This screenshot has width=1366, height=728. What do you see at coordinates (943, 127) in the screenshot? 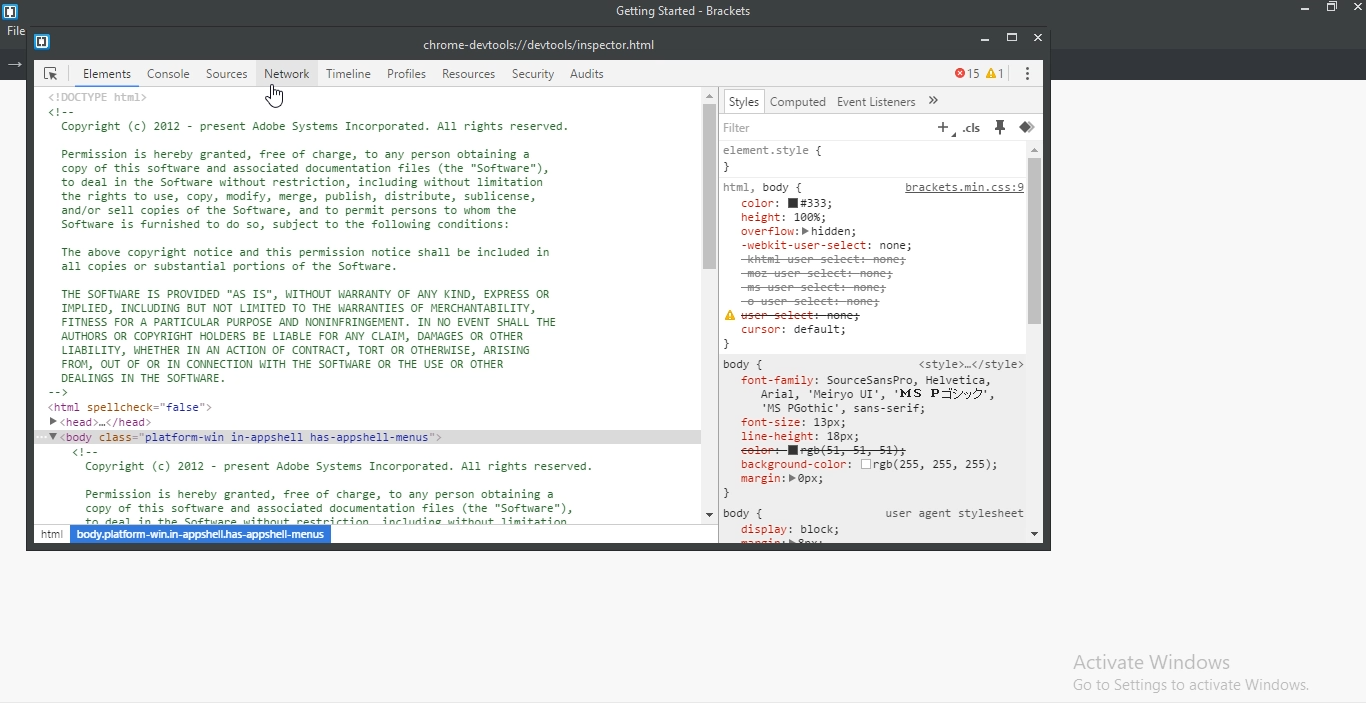
I see `add` at bounding box center [943, 127].